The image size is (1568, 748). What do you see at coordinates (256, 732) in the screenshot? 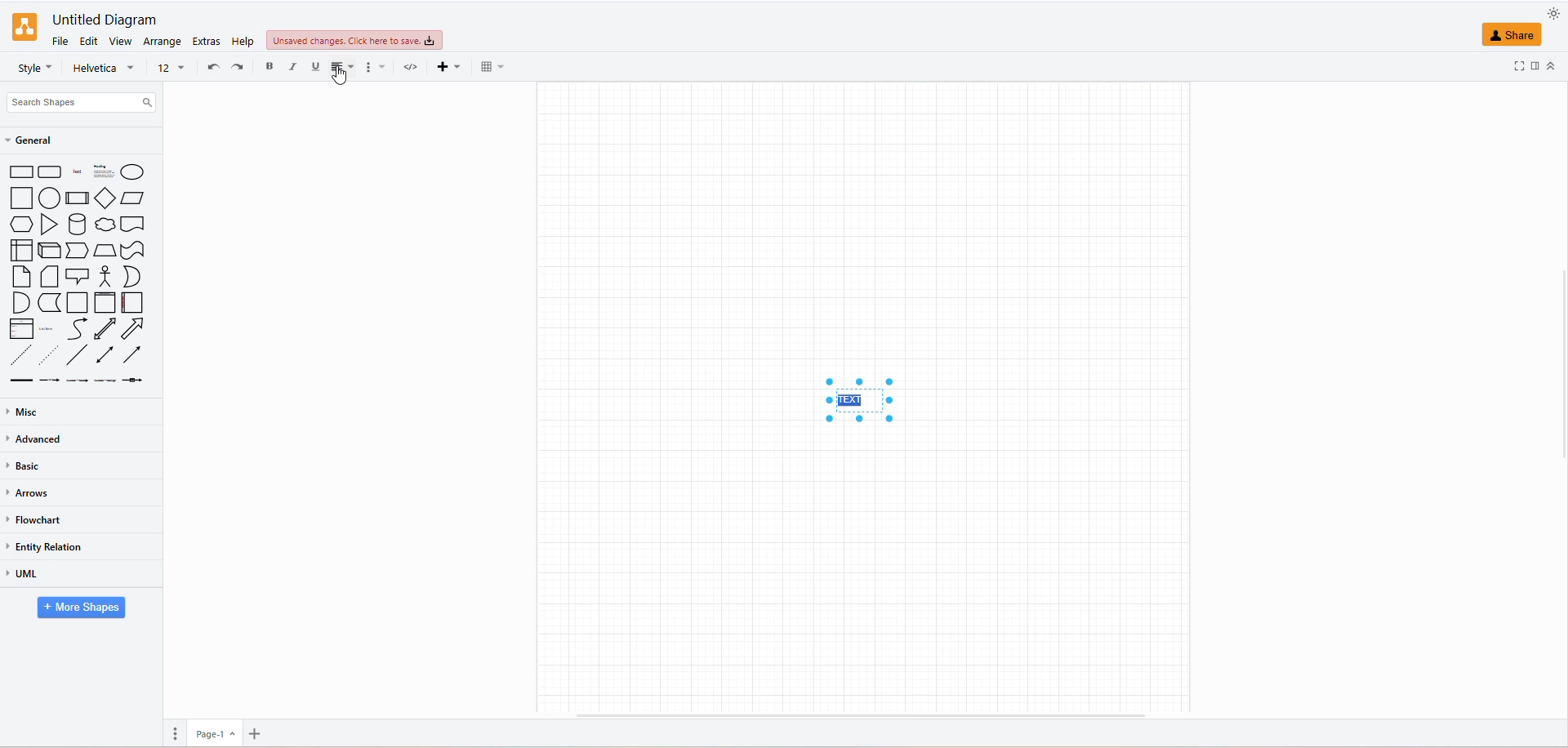
I see `insert page` at bounding box center [256, 732].